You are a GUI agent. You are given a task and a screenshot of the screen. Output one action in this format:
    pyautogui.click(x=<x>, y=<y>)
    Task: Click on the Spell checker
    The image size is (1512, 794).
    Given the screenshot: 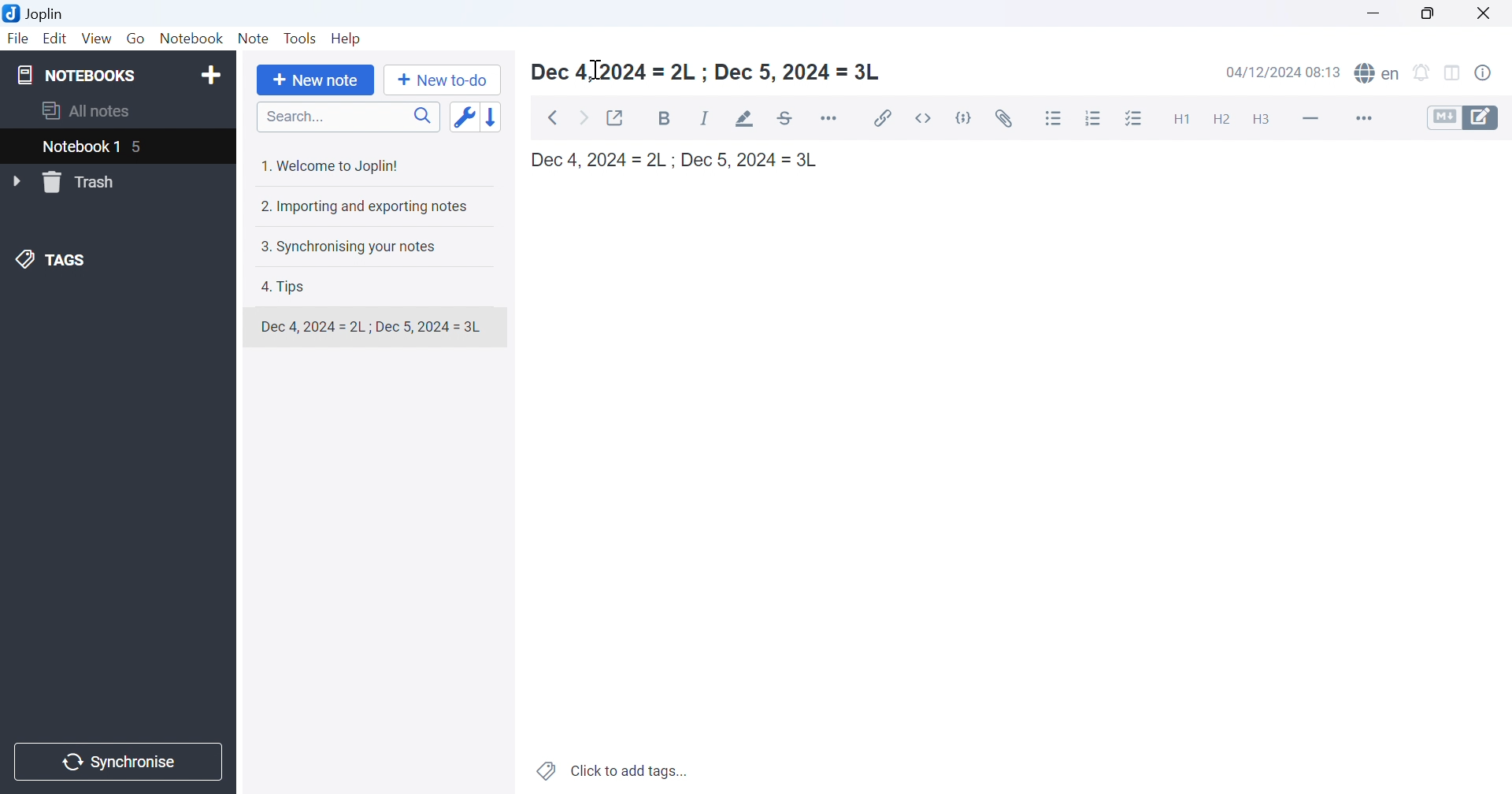 What is the action you would take?
    pyautogui.click(x=1379, y=74)
    